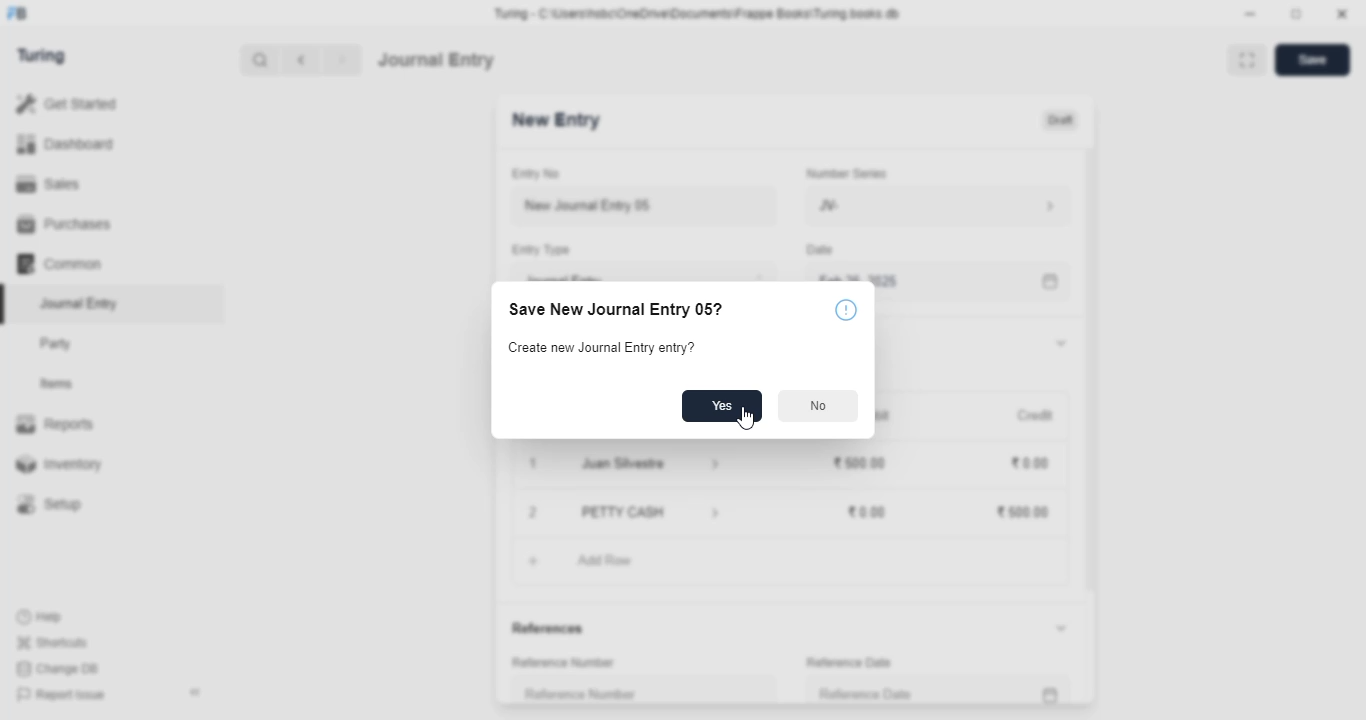 This screenshot has height=720, width=1366. I want to click on credit, so click(1037, 415).